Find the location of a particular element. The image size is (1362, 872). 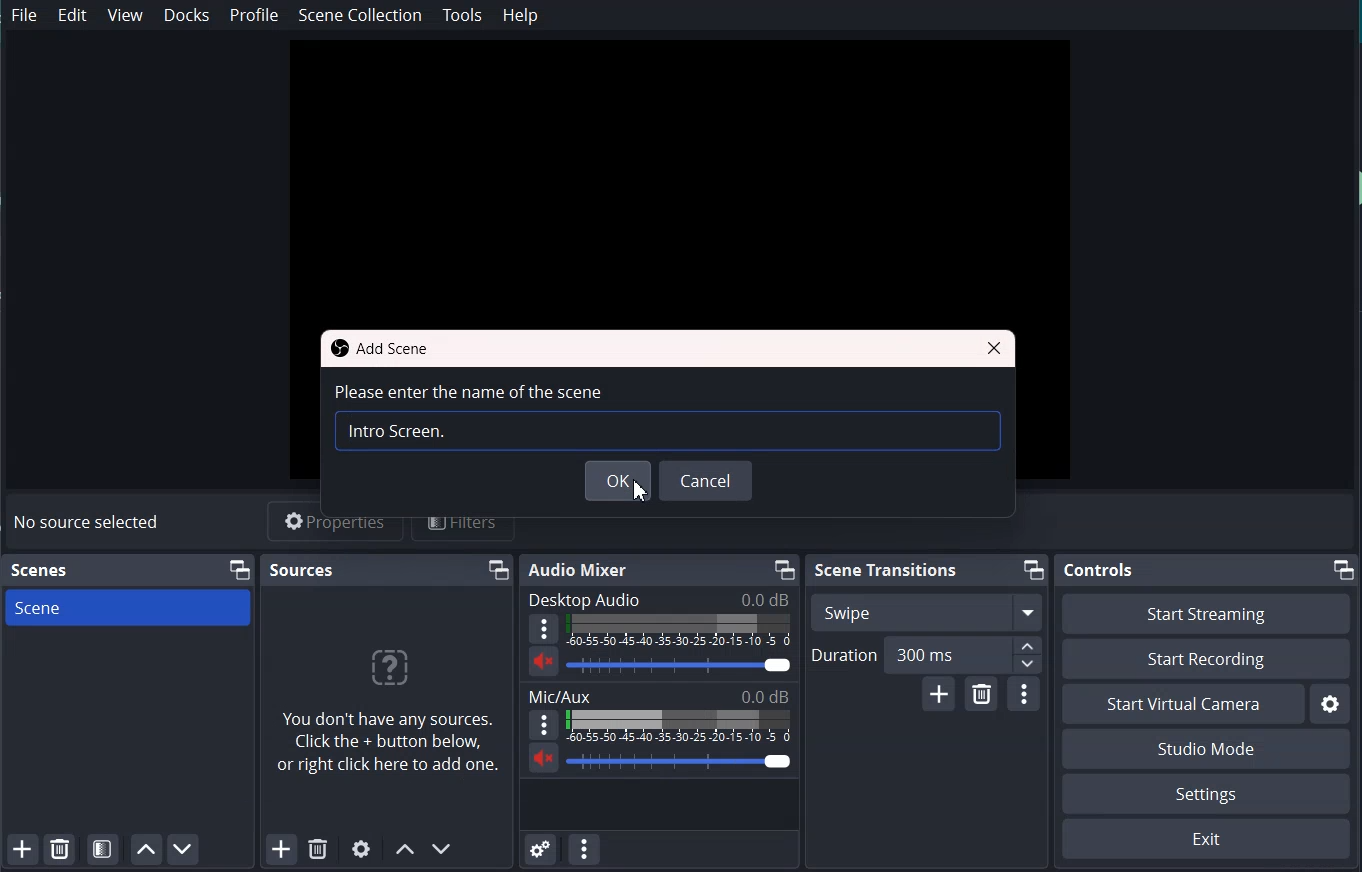

Profile is located at coordinates (254, 15).